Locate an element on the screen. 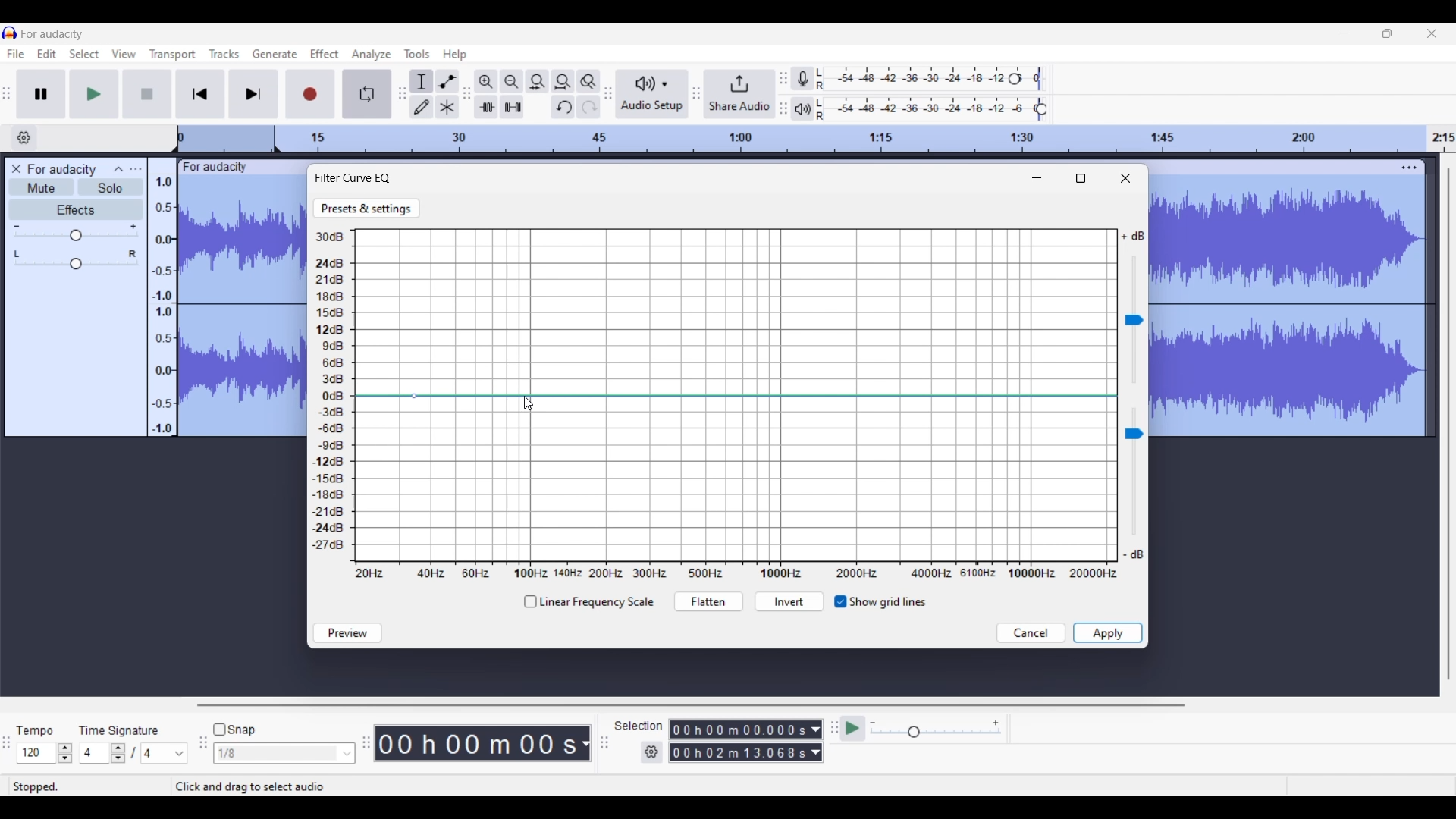 The image size is (1456, 819). Redo is located at coordinates (588, 106).